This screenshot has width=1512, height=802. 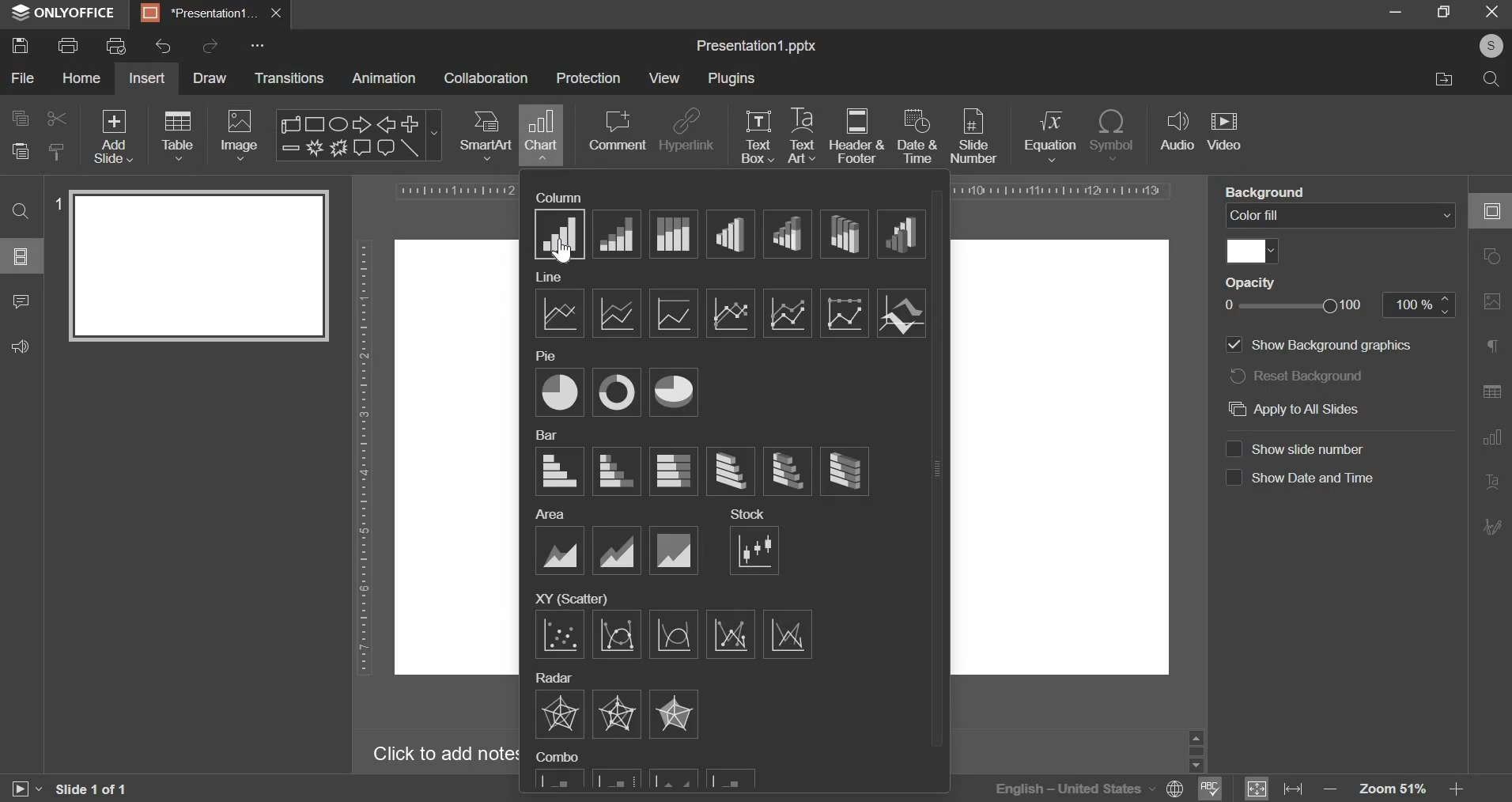 I want to click on presentation tab, so click(x=199, y=13).